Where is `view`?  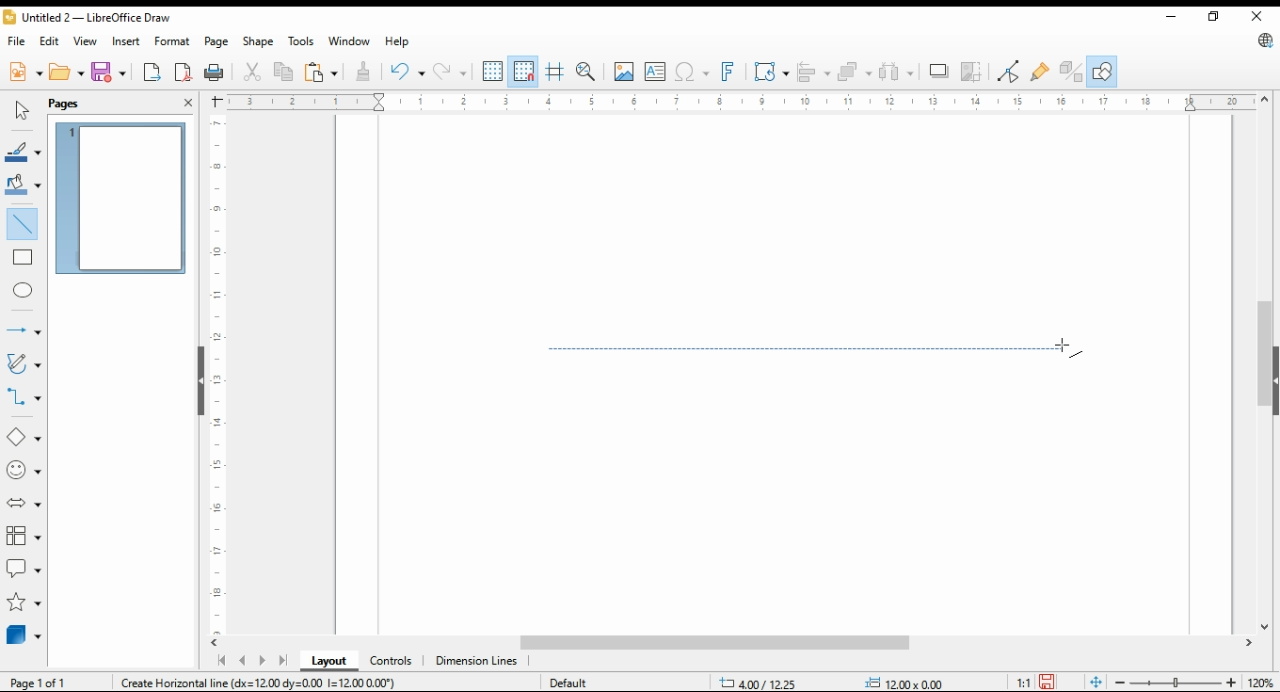 view is located at coordinates (86, 41).